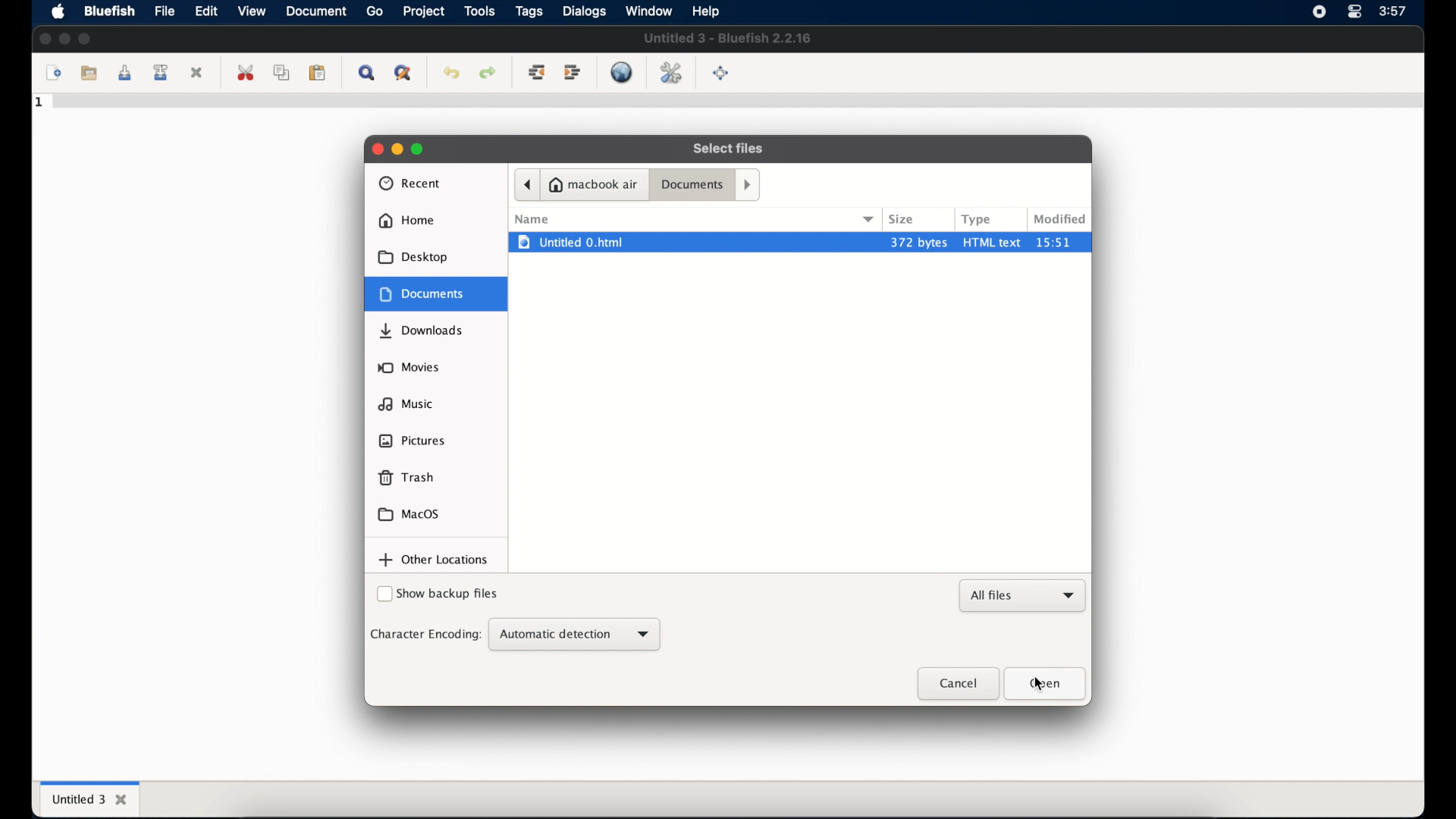  What do you see at coordinates (413, 441) in the screenshot?
I see `pictures` at bounding box center [413, 441].